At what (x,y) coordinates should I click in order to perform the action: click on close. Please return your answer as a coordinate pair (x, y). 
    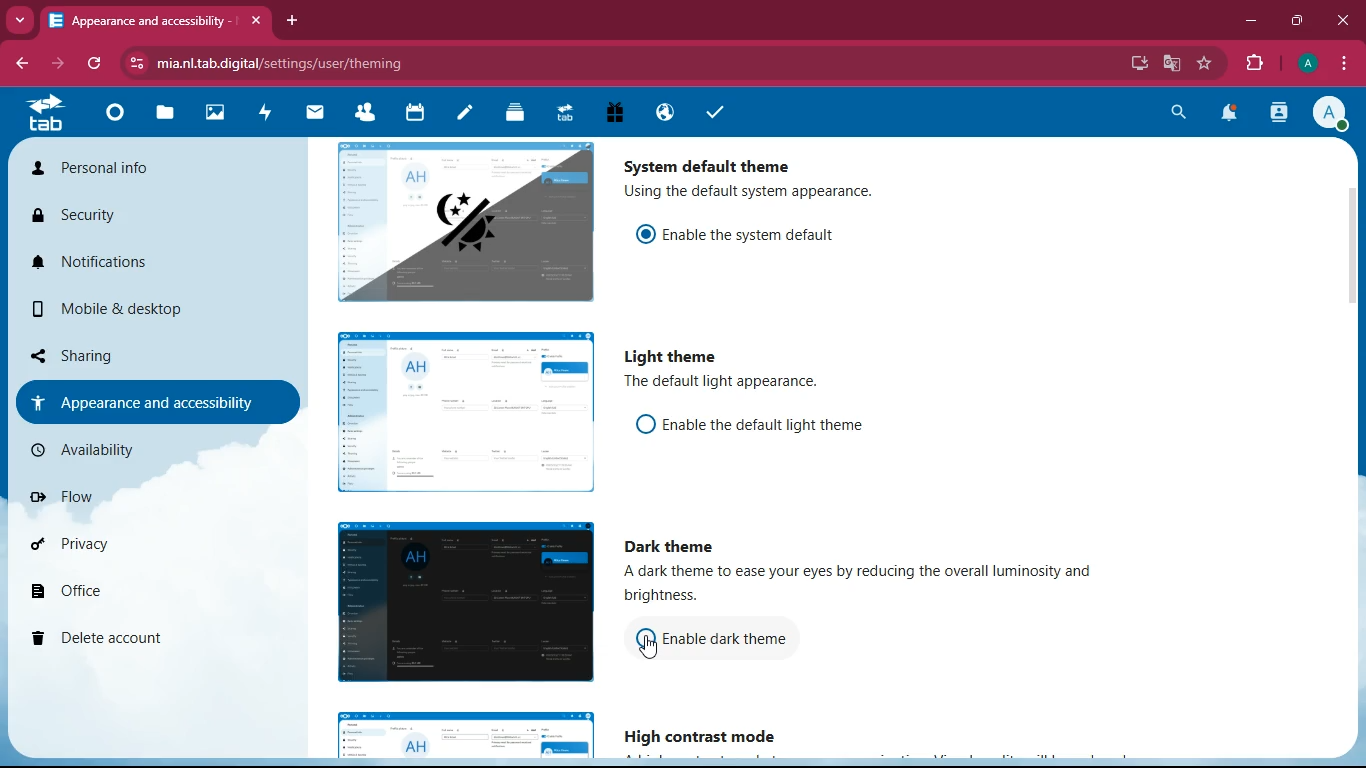
    Looking at the image, I should click on (1344, 19).